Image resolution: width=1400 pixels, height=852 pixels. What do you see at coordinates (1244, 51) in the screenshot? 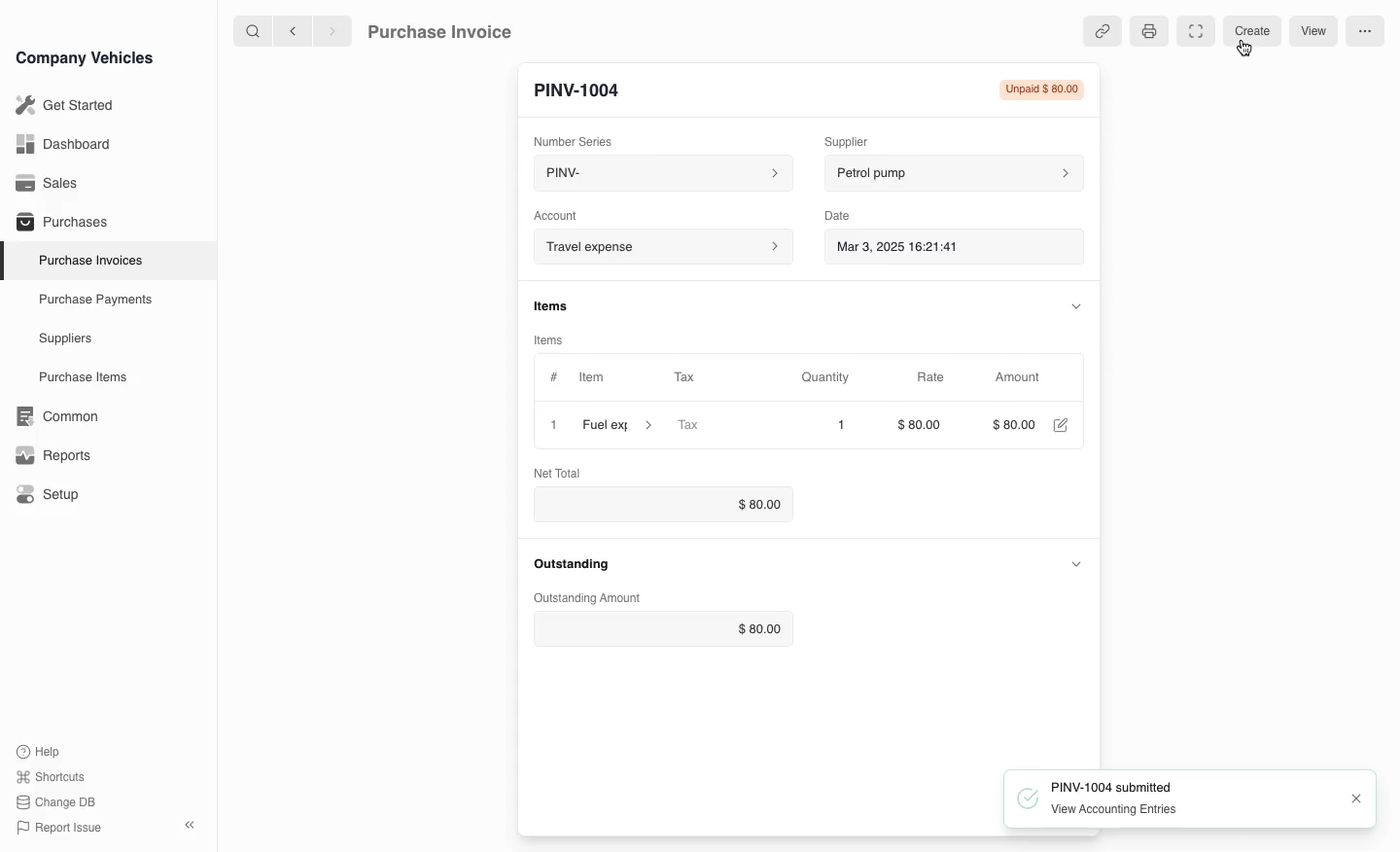
I see `cursor` at bounding box center [1244, 51].